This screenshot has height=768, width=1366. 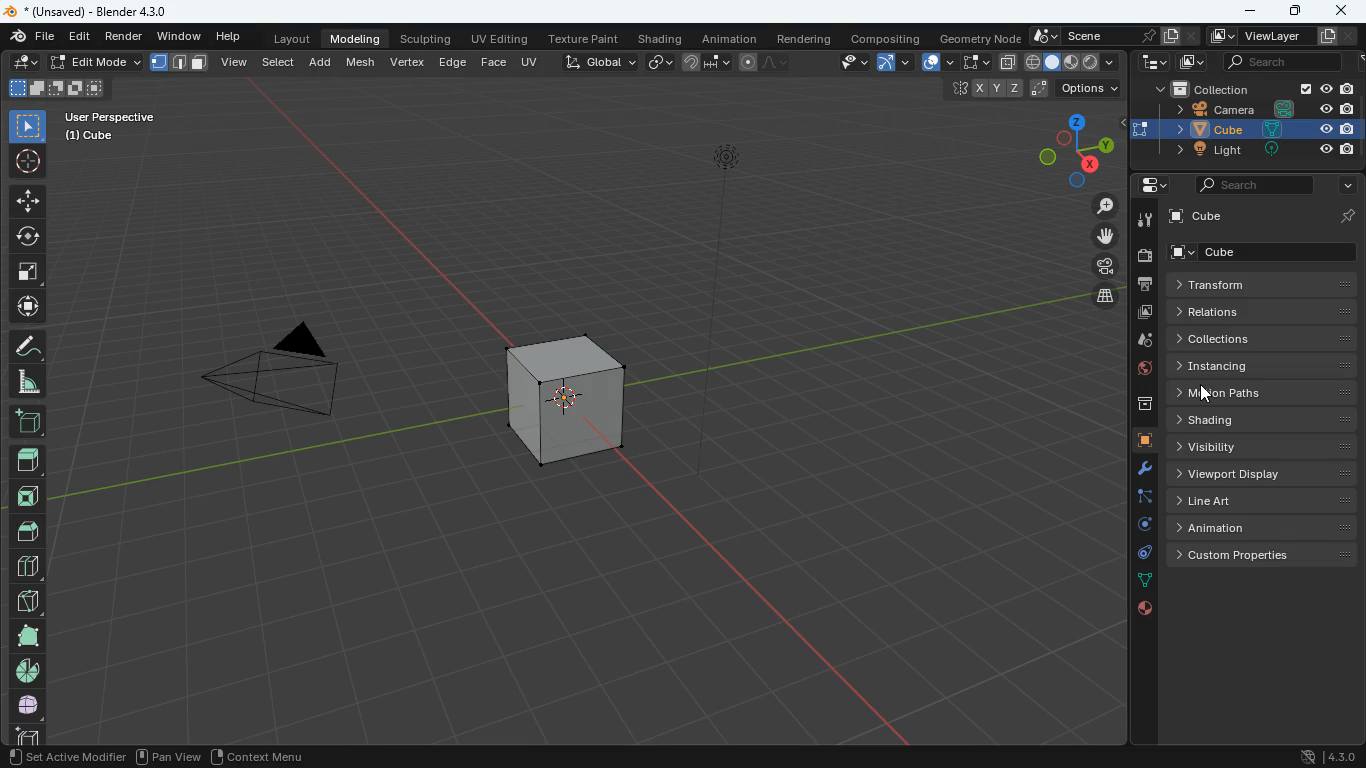 What do you see at coordinates (1285, 36) in the screenshot?
I see `view layer` at bounding box center [1285, 36].